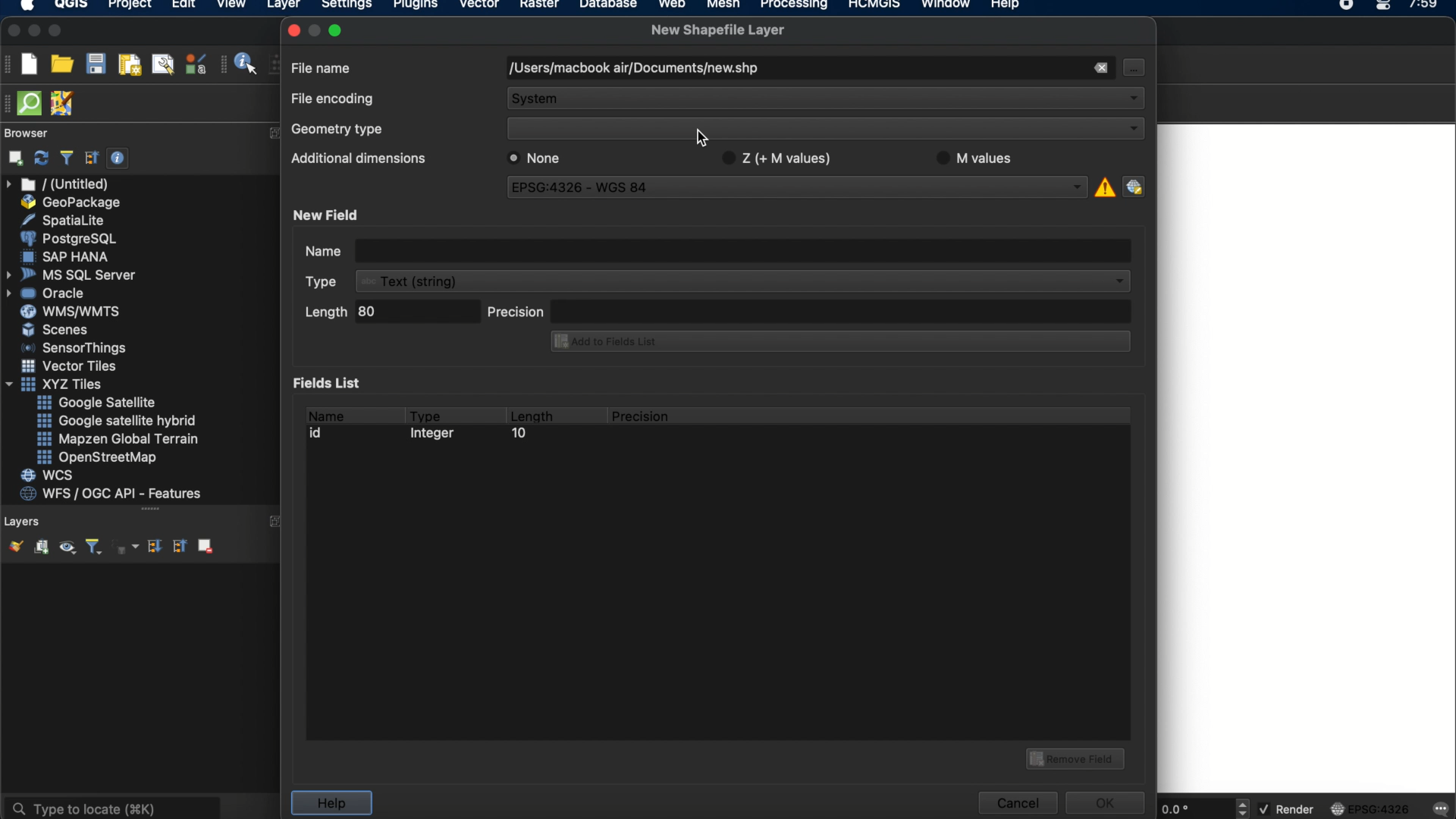 The image size is (1456, 819). What do you see at coordinates (12, 31) in the screenshot?
I see `close` at bounding box center [12, 31].